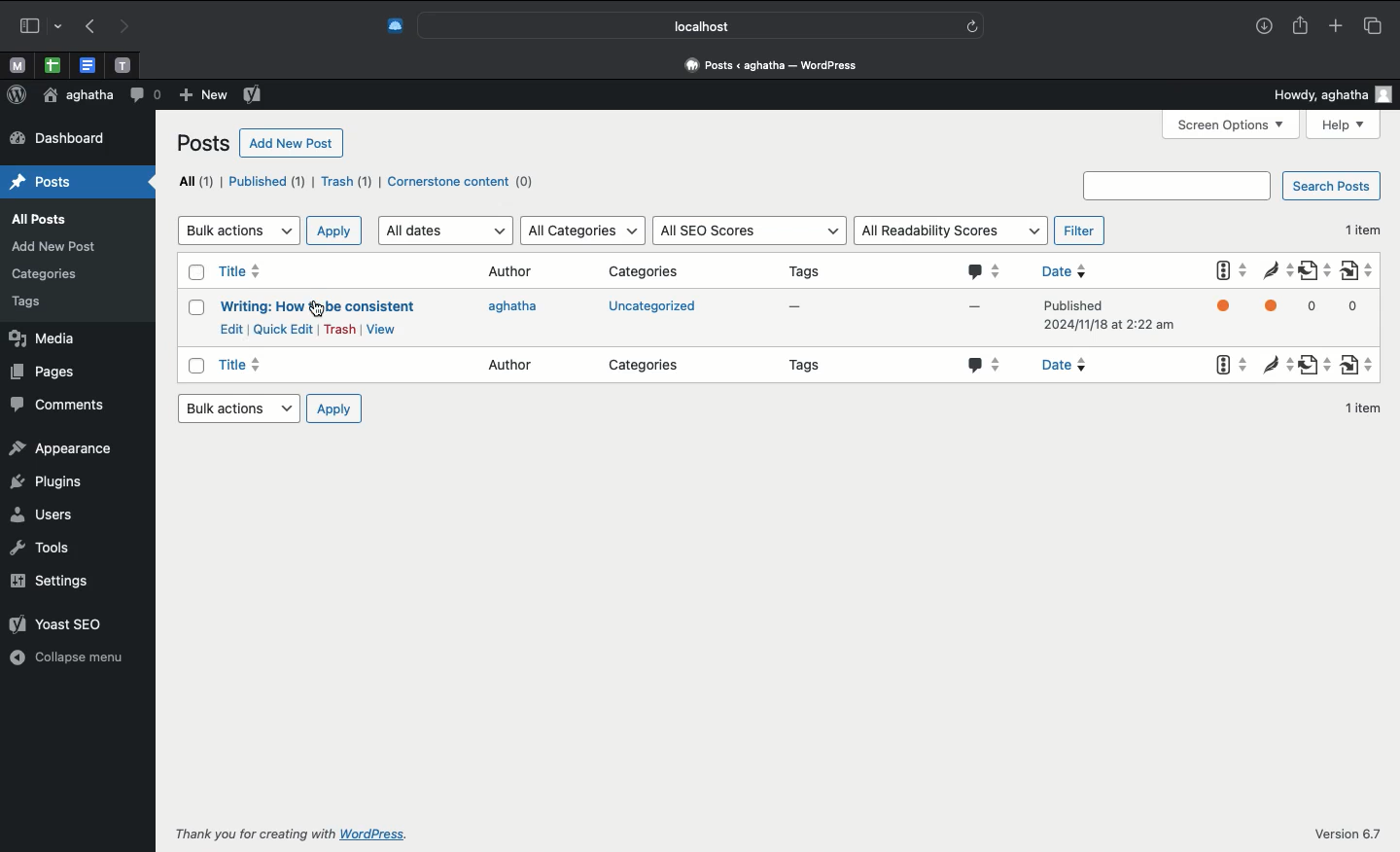  I want to click on pinned tab, so click(16, 63).